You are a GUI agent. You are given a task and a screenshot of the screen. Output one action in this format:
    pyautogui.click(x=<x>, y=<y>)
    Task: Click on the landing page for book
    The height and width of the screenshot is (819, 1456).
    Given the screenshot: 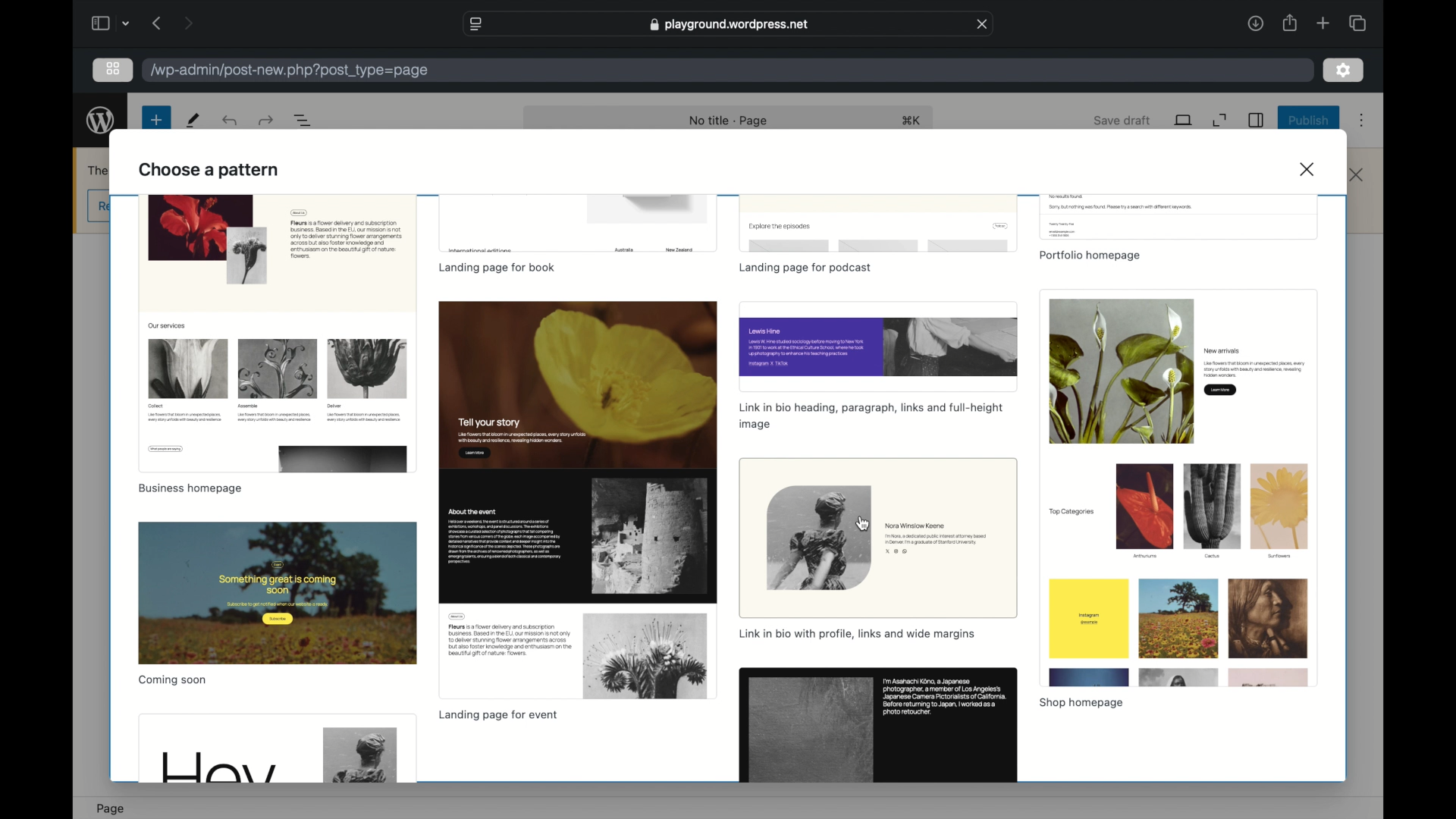 What is the action you would take?
    pyautogui.click(x=497, y=268)
    